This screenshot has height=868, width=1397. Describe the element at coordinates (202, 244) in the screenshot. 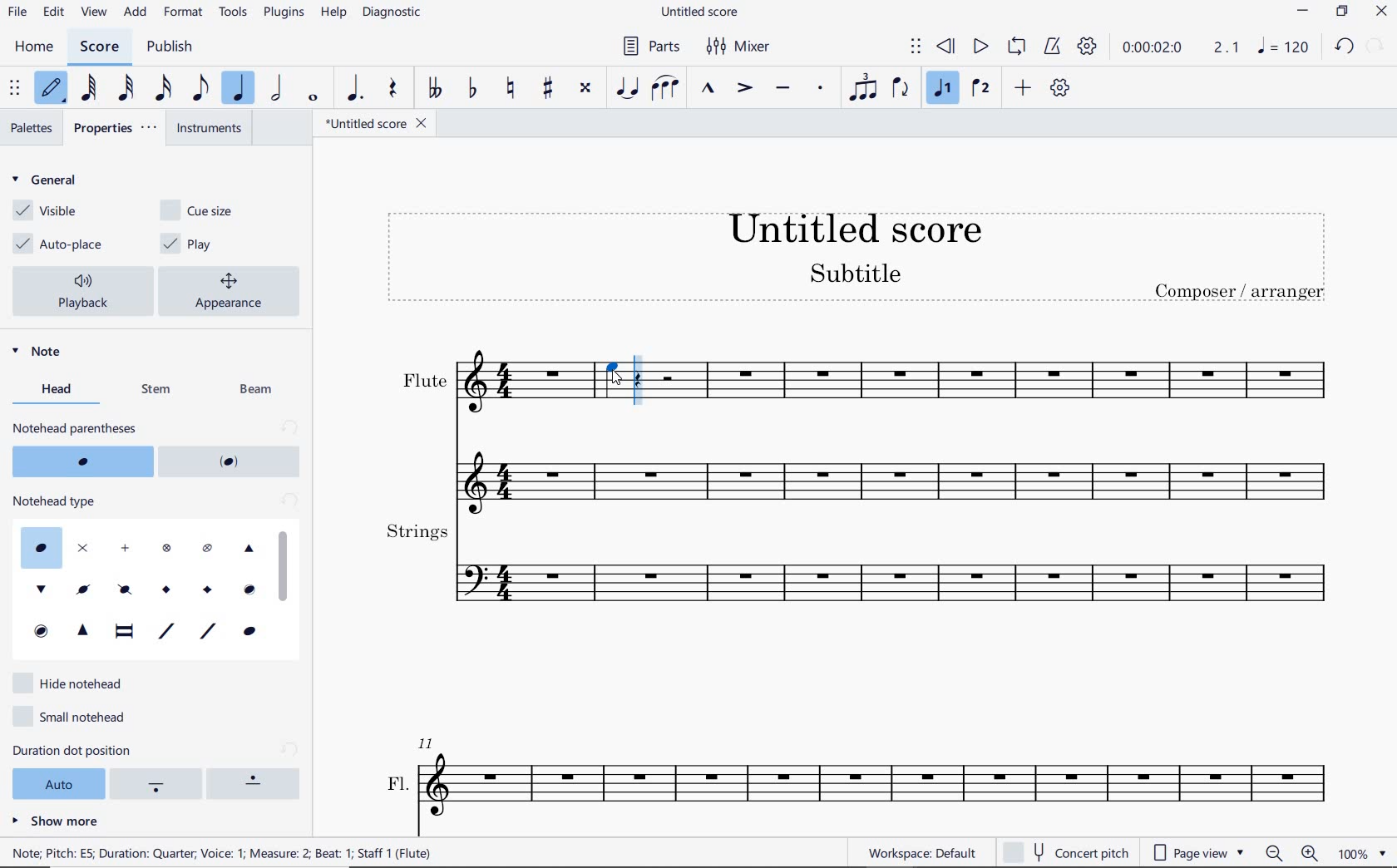

I see `play` at that location.